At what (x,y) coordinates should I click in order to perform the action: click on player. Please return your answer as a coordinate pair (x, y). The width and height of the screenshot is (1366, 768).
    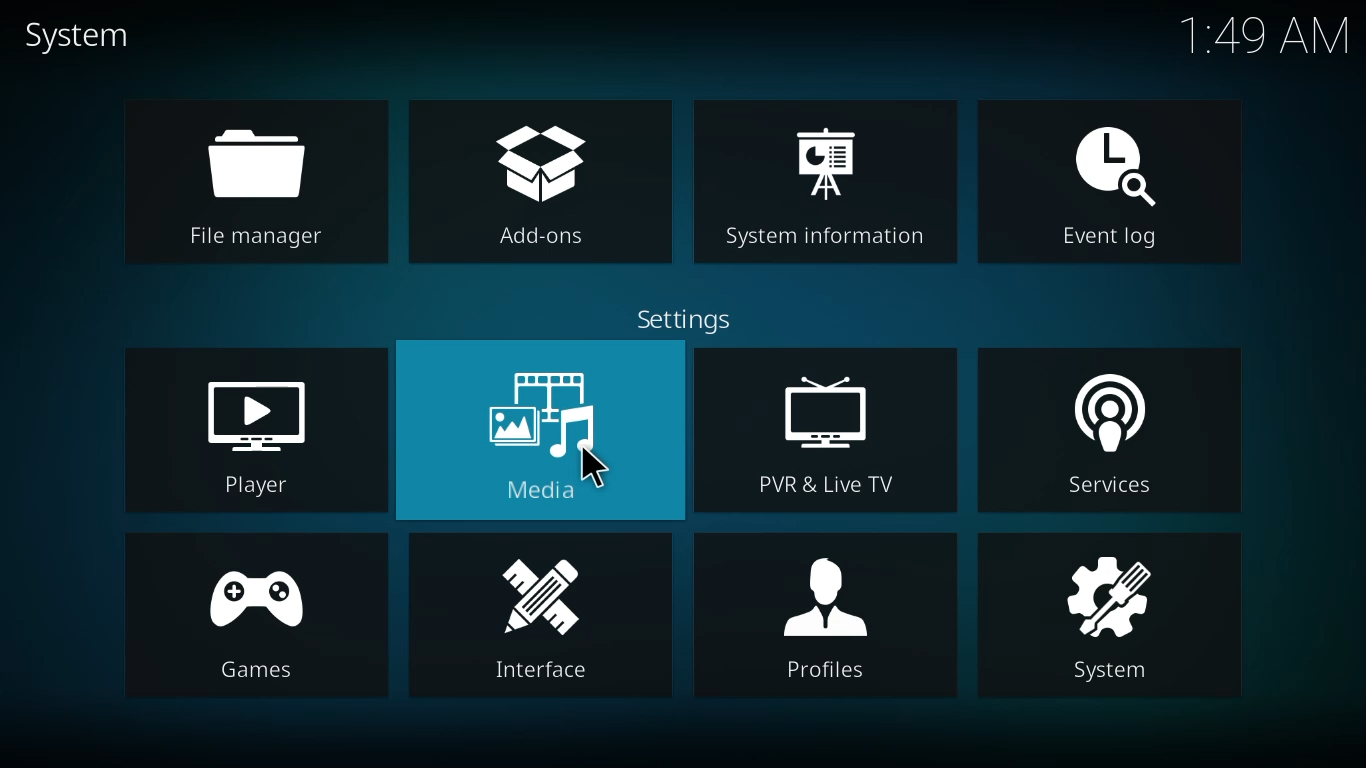
    Looking at the image, I should click on (263, 435).